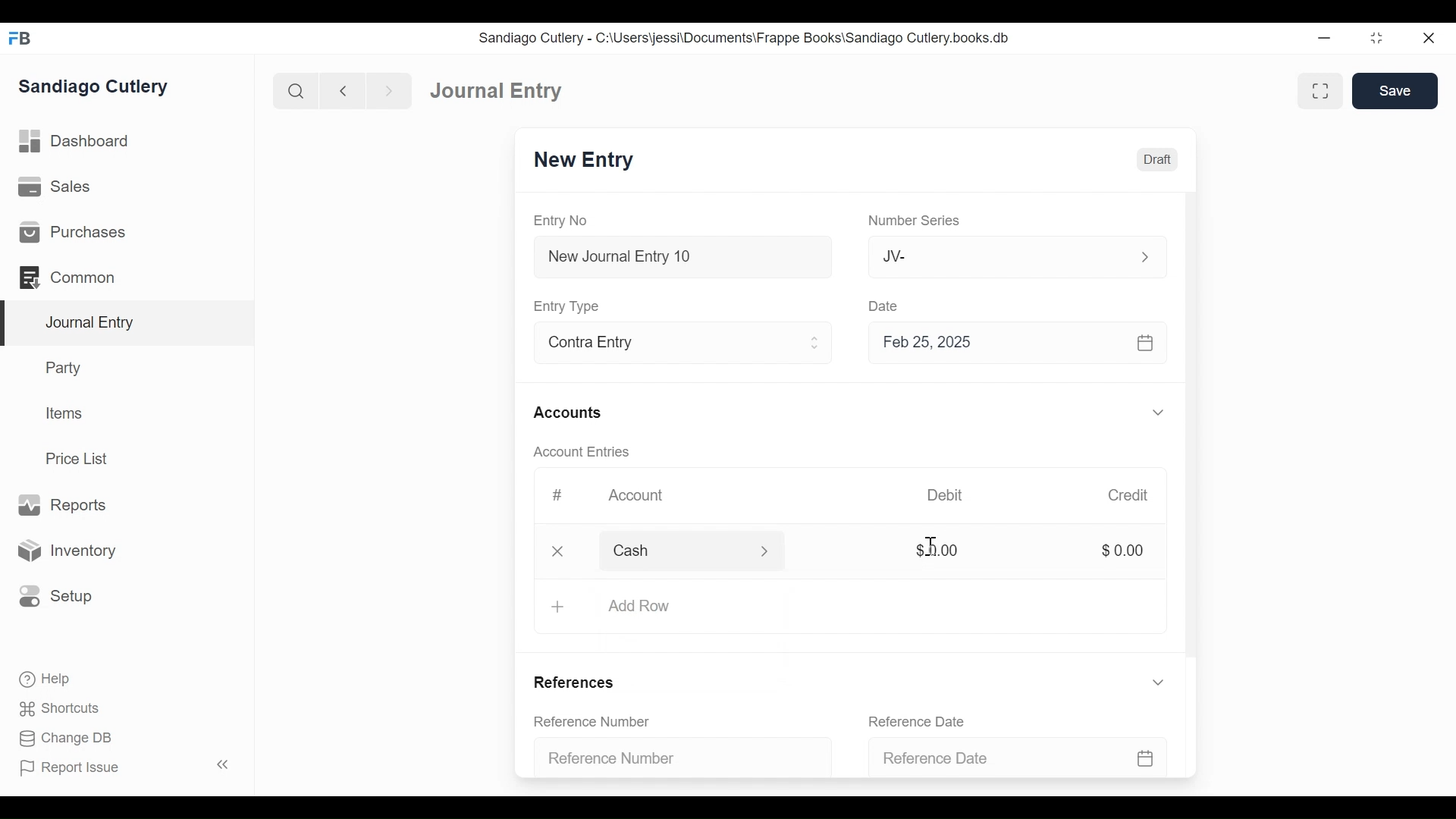 This screenshot has width=1456, height=819. Describe the element at coordinates (922, 720) in the screenshot. I see `Reference Date` at that location.